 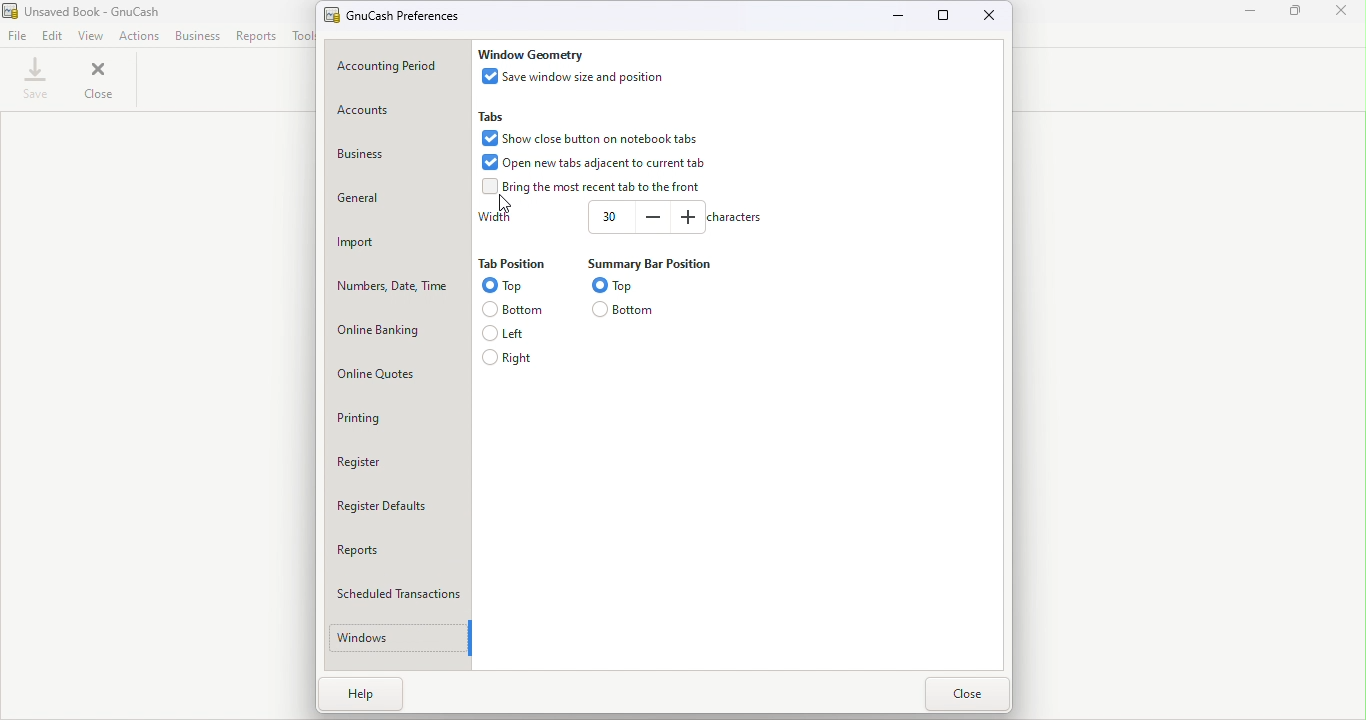 I want to click on File, so click(x=17, y=36).